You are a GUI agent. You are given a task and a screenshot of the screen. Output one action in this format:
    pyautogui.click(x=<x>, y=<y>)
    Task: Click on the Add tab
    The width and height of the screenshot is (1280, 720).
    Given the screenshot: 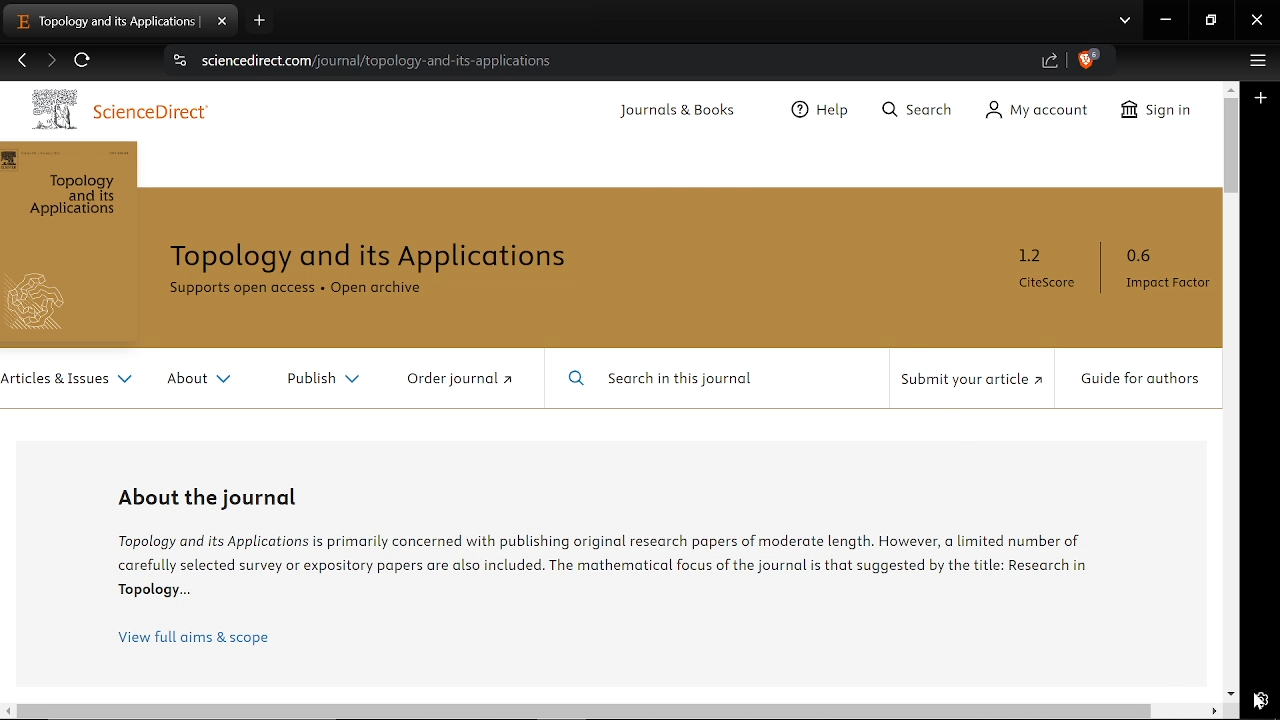 What is the action you would take?
    pyautogui.click(x=259, y=21)
    